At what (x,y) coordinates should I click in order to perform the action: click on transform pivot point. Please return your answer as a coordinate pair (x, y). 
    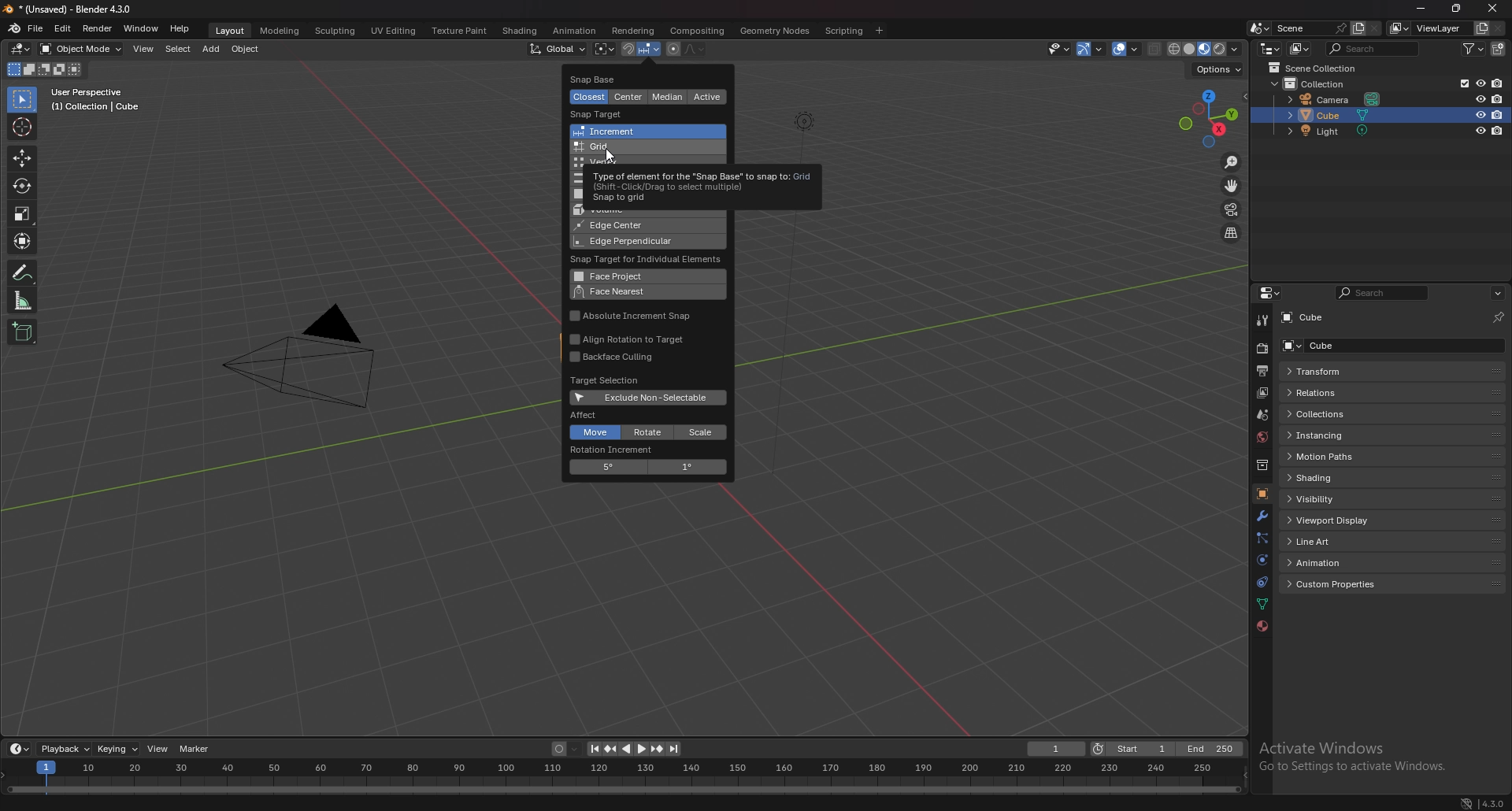
    Looking at the image, I should click on (604, 49).